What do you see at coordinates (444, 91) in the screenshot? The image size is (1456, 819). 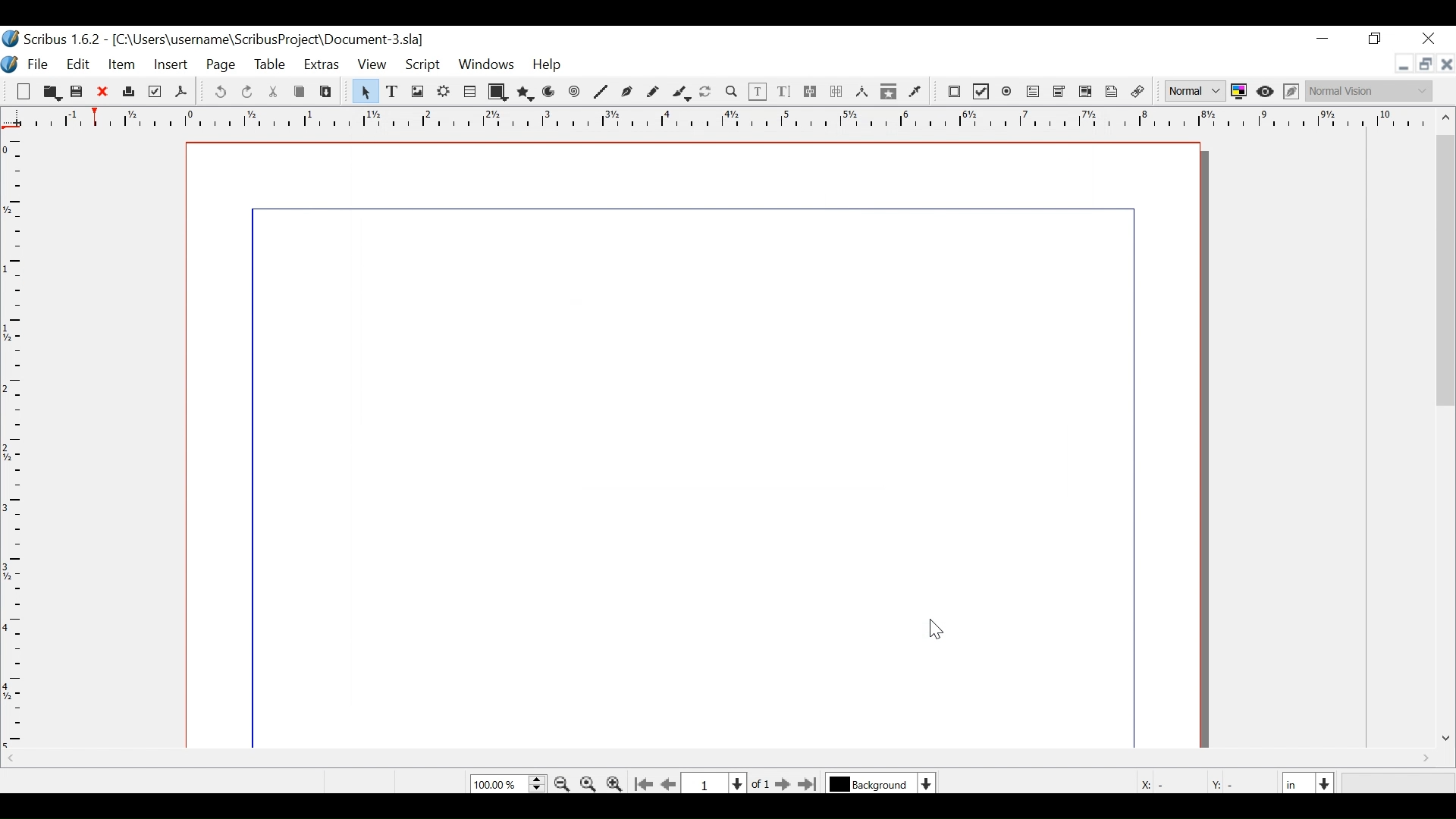 I see `Render Frame` at bounding box center [444, 91].